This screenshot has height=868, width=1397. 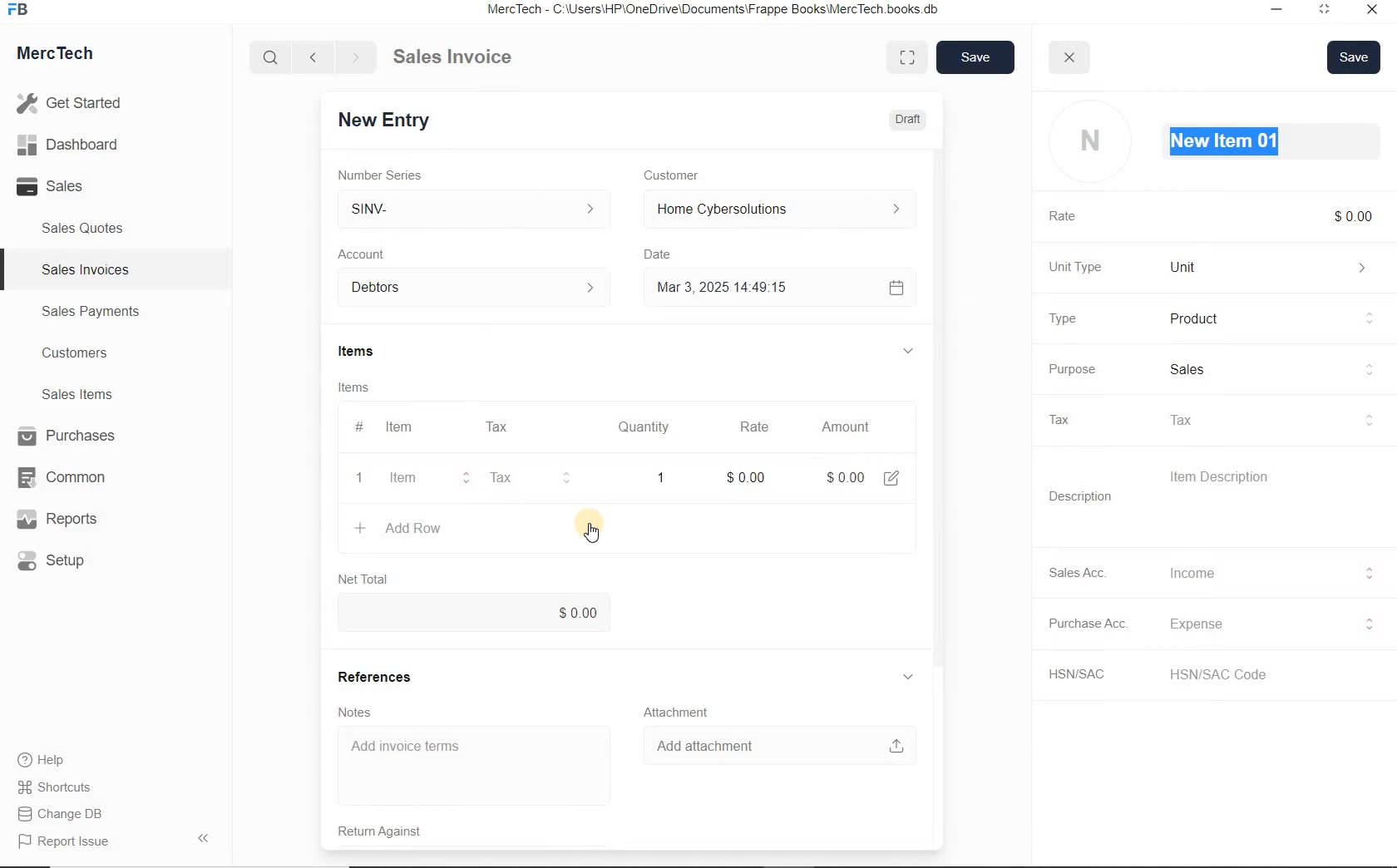 I want to click on New Entry, so click(x=389, y=119).